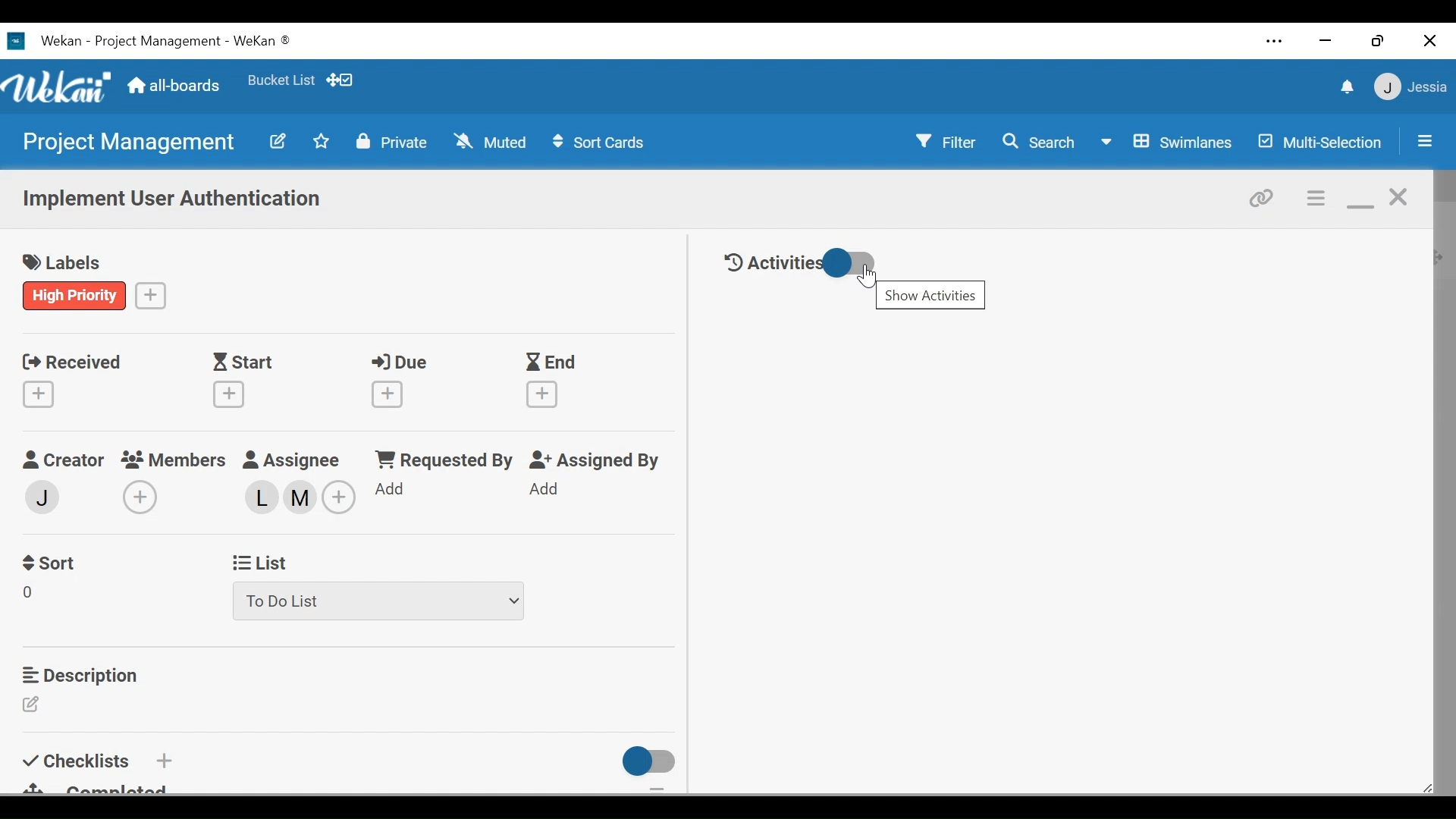 The image size is (1456, 819). I want to click on Assigned members, so click(263, 497).